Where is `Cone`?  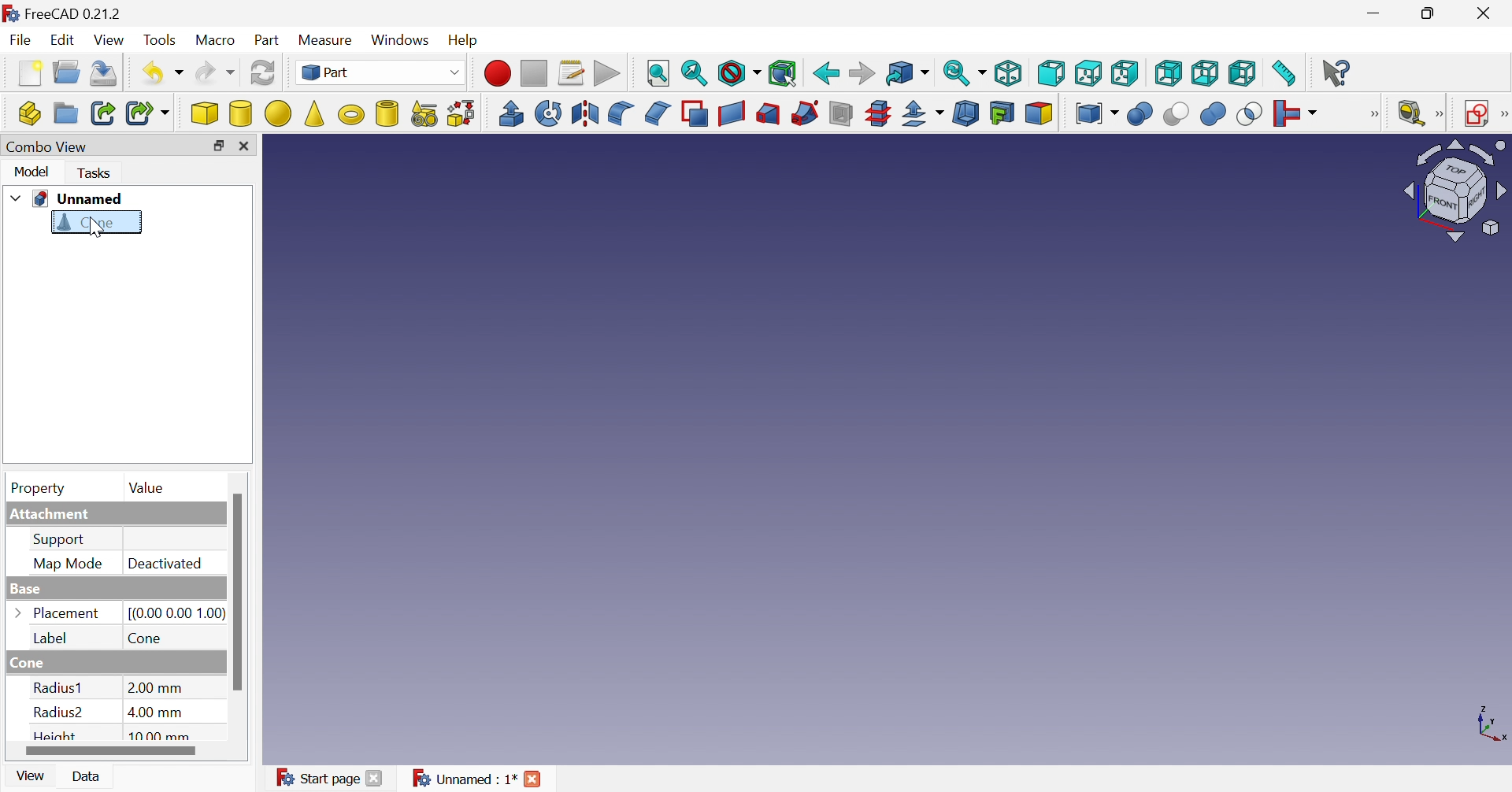 Cone is located at coordinates (313, 113).